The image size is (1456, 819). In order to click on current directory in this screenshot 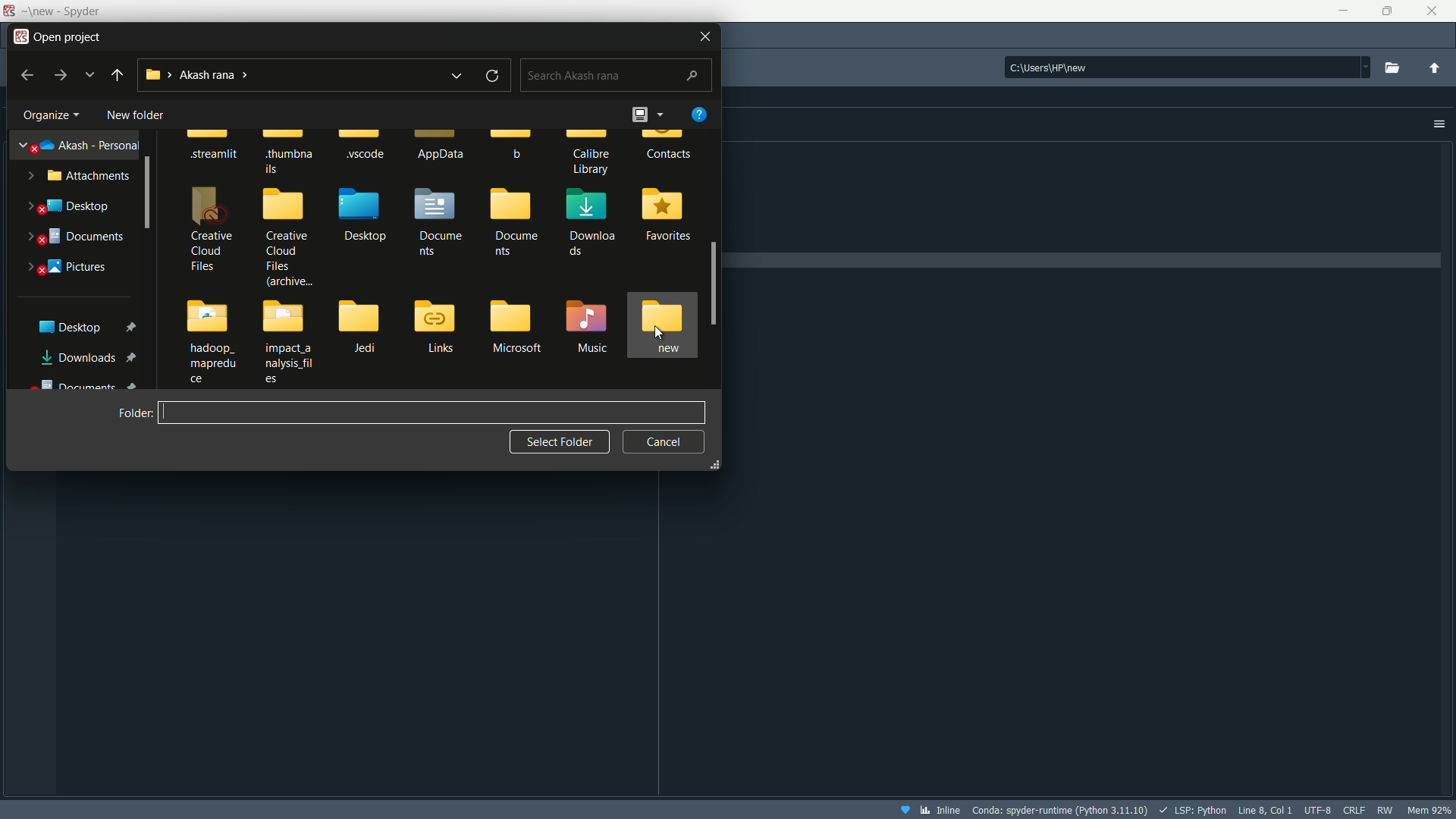, I will do `click(209, 76)`.